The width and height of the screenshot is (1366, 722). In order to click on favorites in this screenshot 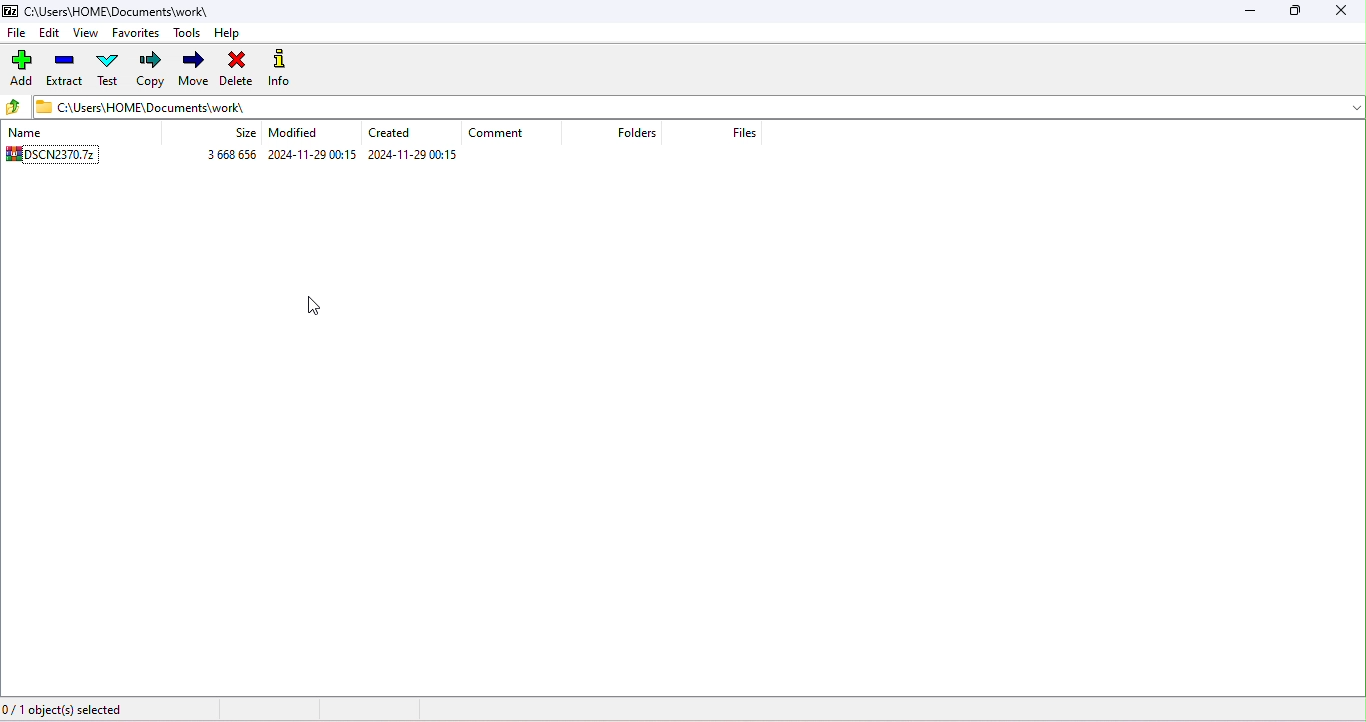, I will do `click(137, 33)`.